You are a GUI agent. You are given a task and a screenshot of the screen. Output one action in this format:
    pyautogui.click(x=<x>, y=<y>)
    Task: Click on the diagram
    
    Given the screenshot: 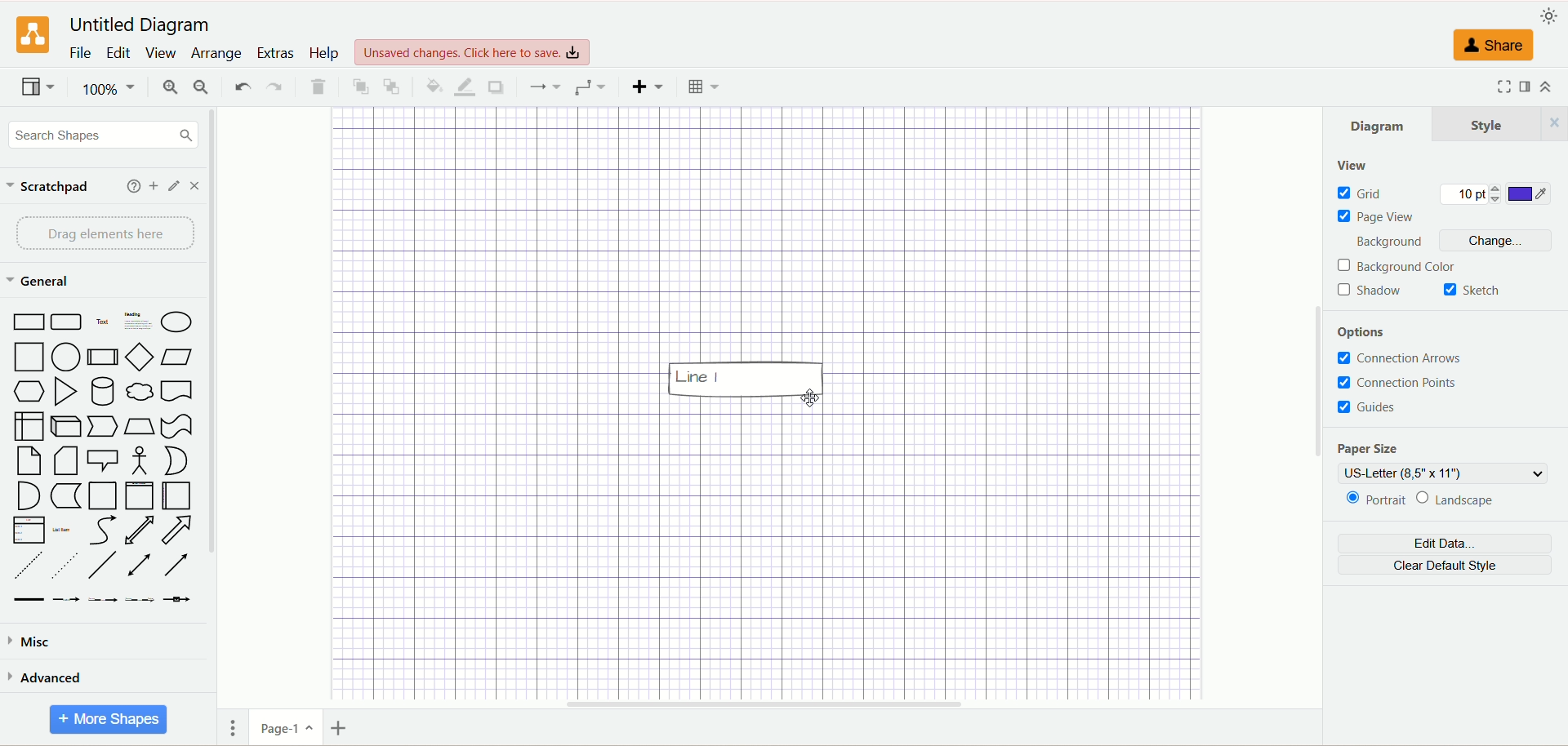 What is the action you would take?
    pyautogui.click(x=1379, y=123)
    